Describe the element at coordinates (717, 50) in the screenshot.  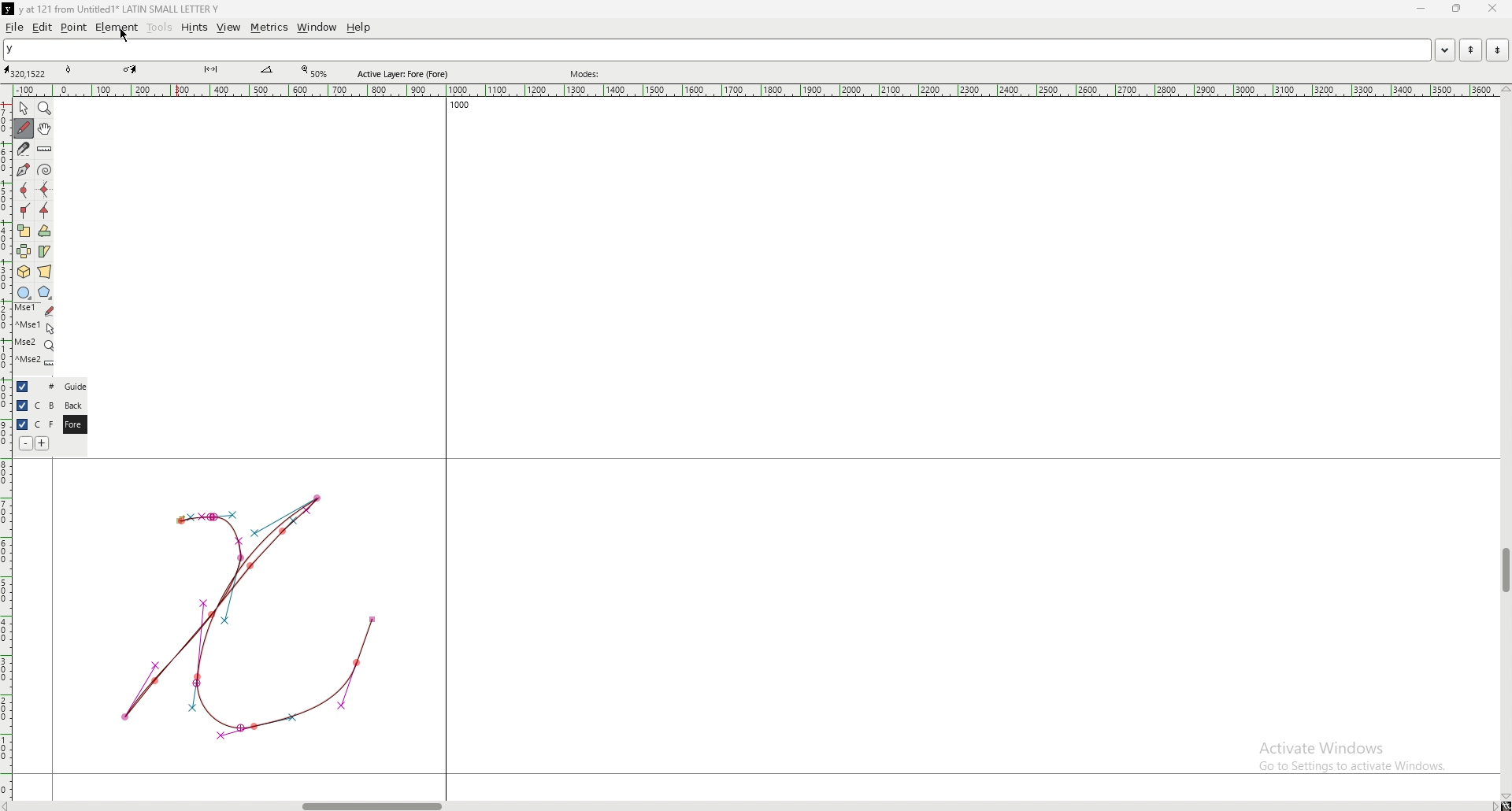
I see `Y` at that location.